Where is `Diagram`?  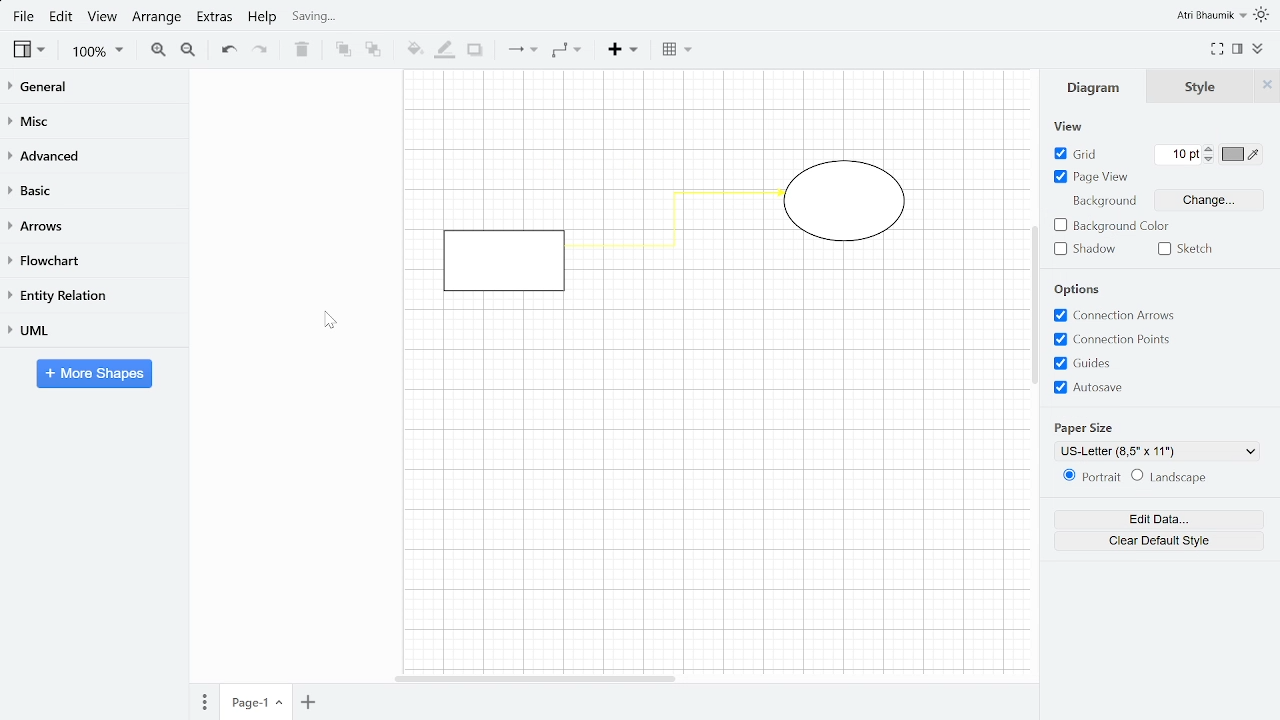
Diagram is located at coordinates (1094, 88).